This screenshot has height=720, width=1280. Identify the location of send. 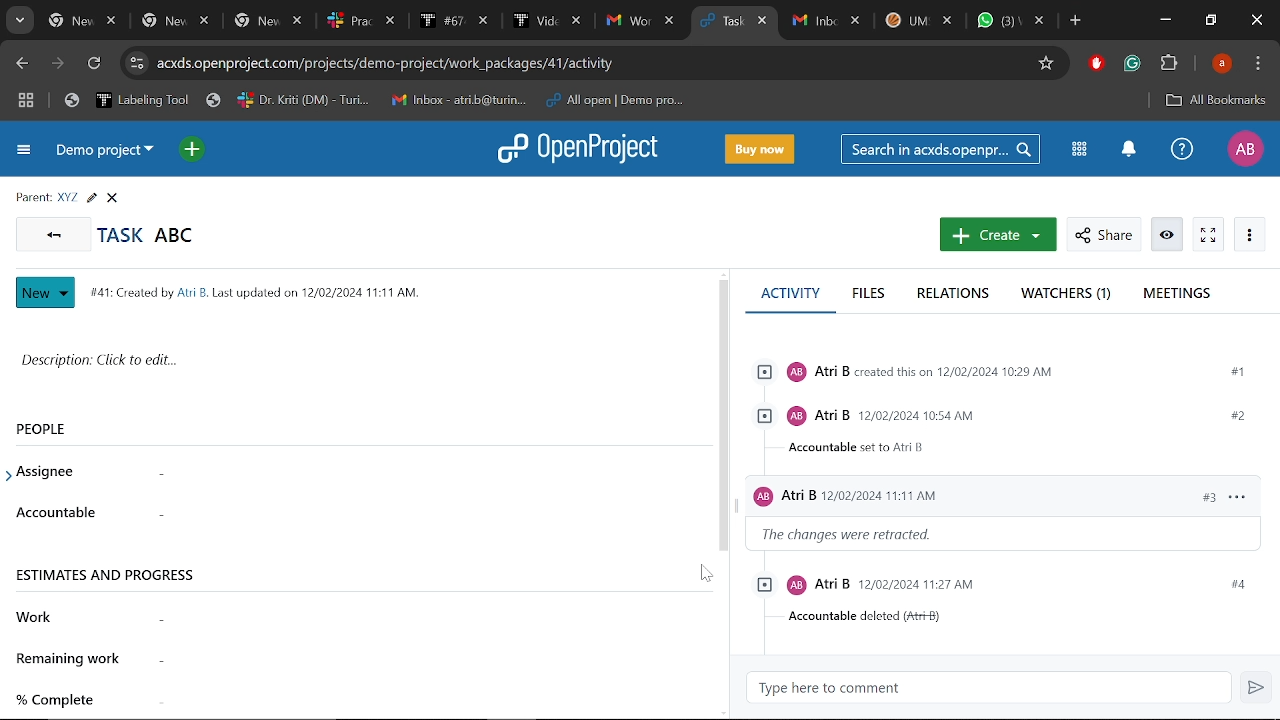
(1254, 688).